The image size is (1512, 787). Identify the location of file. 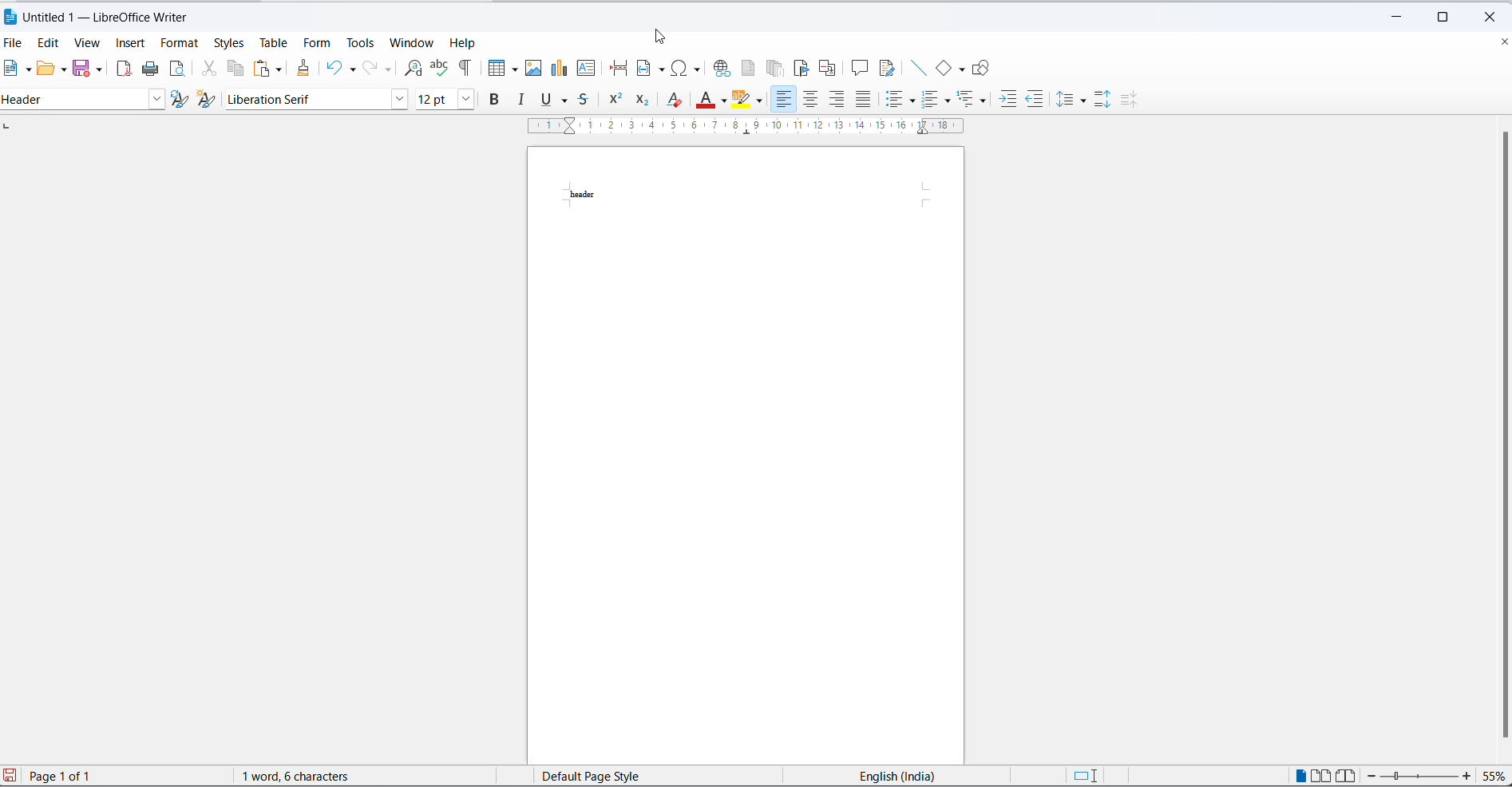
(14, 44).